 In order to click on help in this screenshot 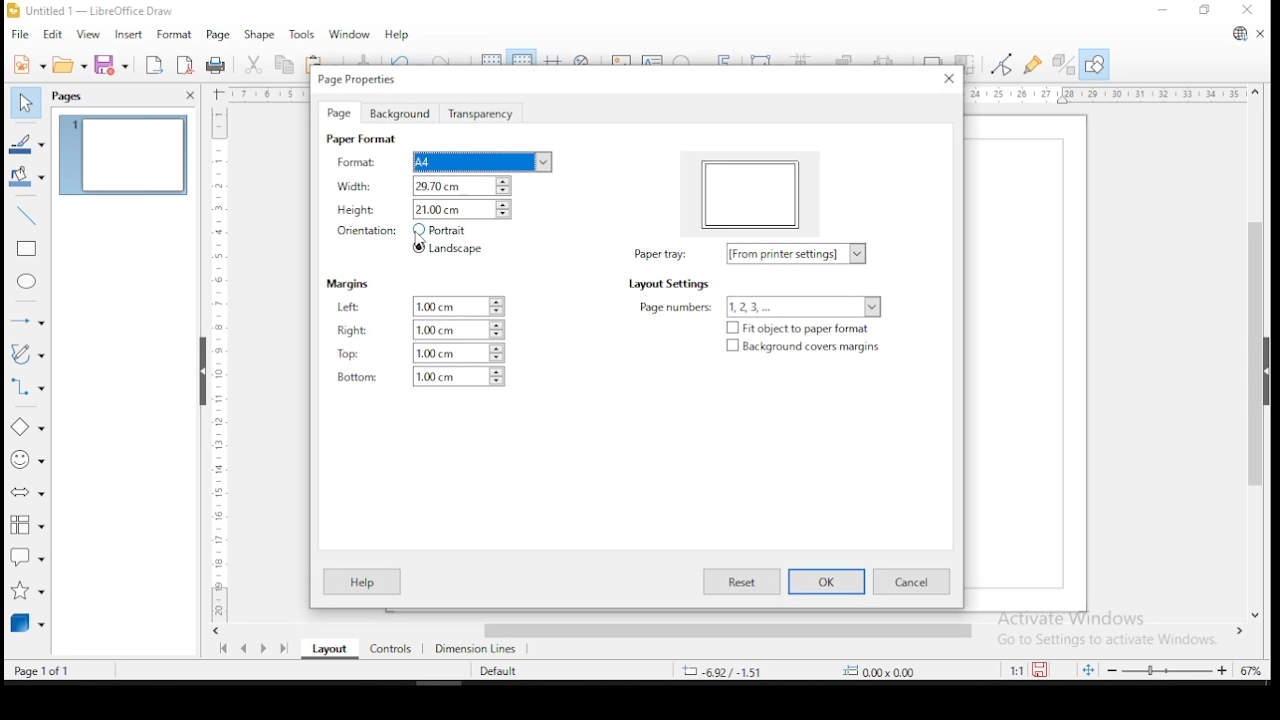, I will do `click(364, 583)`.